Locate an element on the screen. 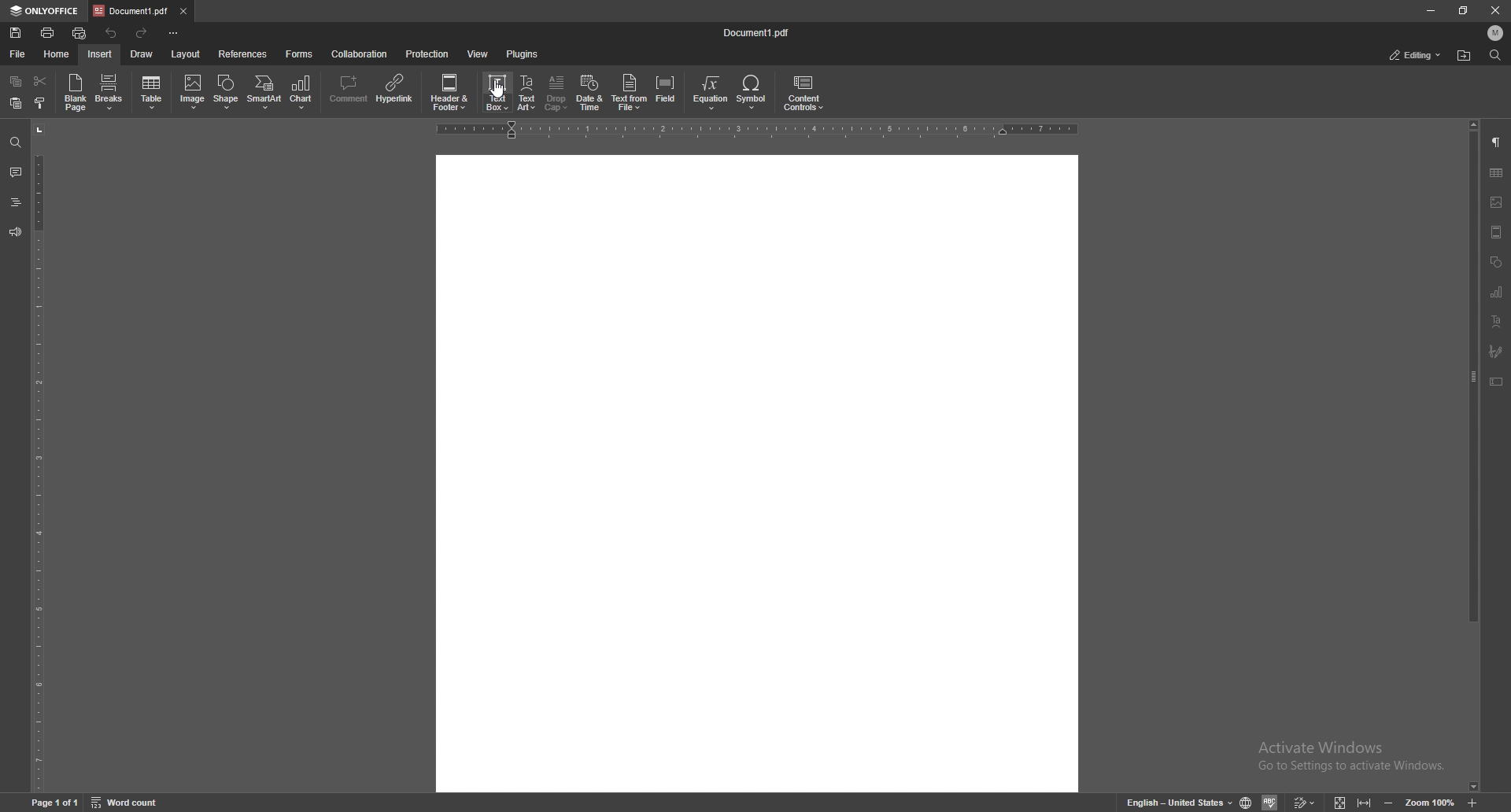  Activate Windows
Go to Settings to activate Windows. is located at coordinates (1355, 757).